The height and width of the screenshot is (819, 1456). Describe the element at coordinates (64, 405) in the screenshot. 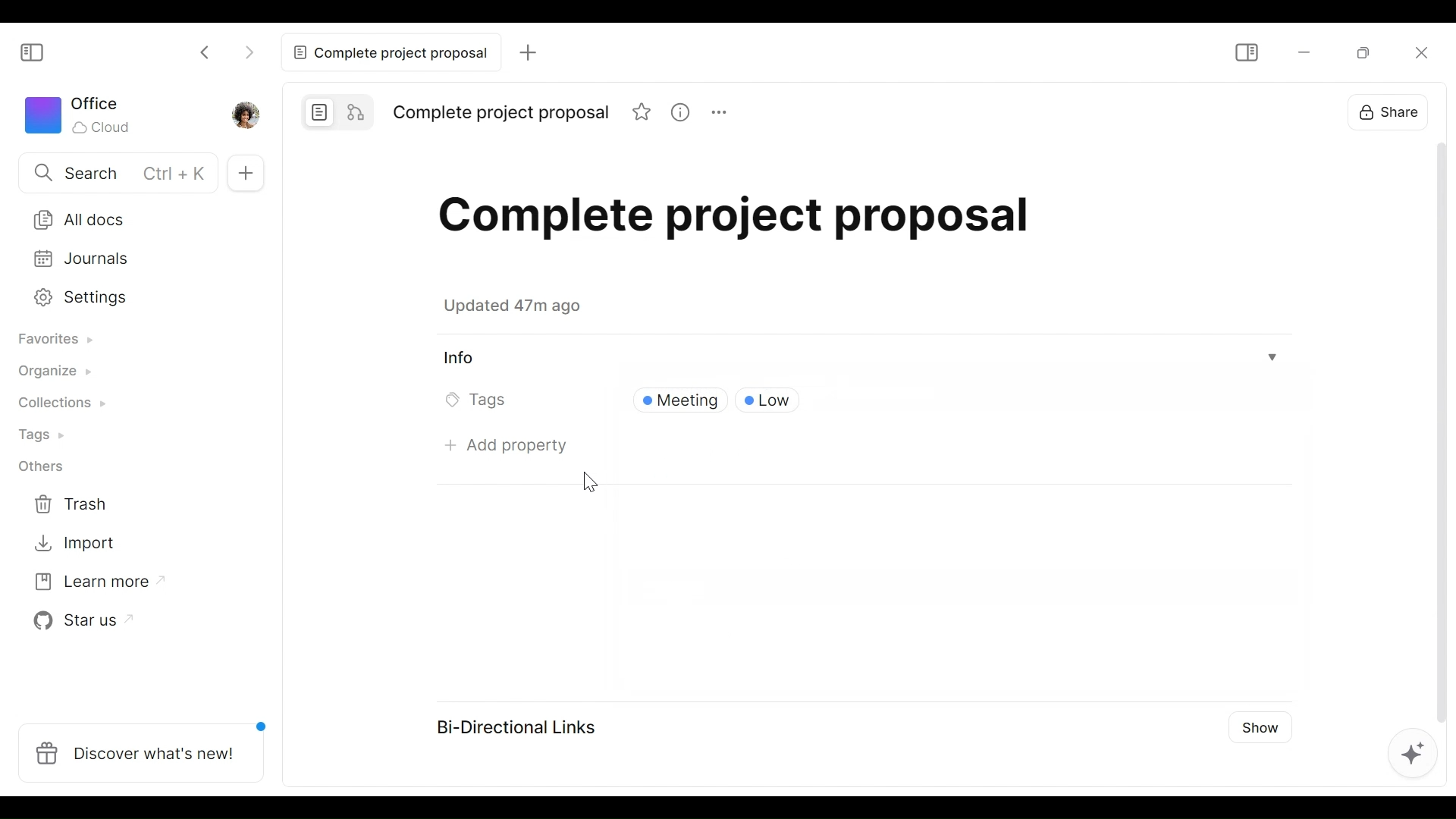

I see `Collections` at that location.